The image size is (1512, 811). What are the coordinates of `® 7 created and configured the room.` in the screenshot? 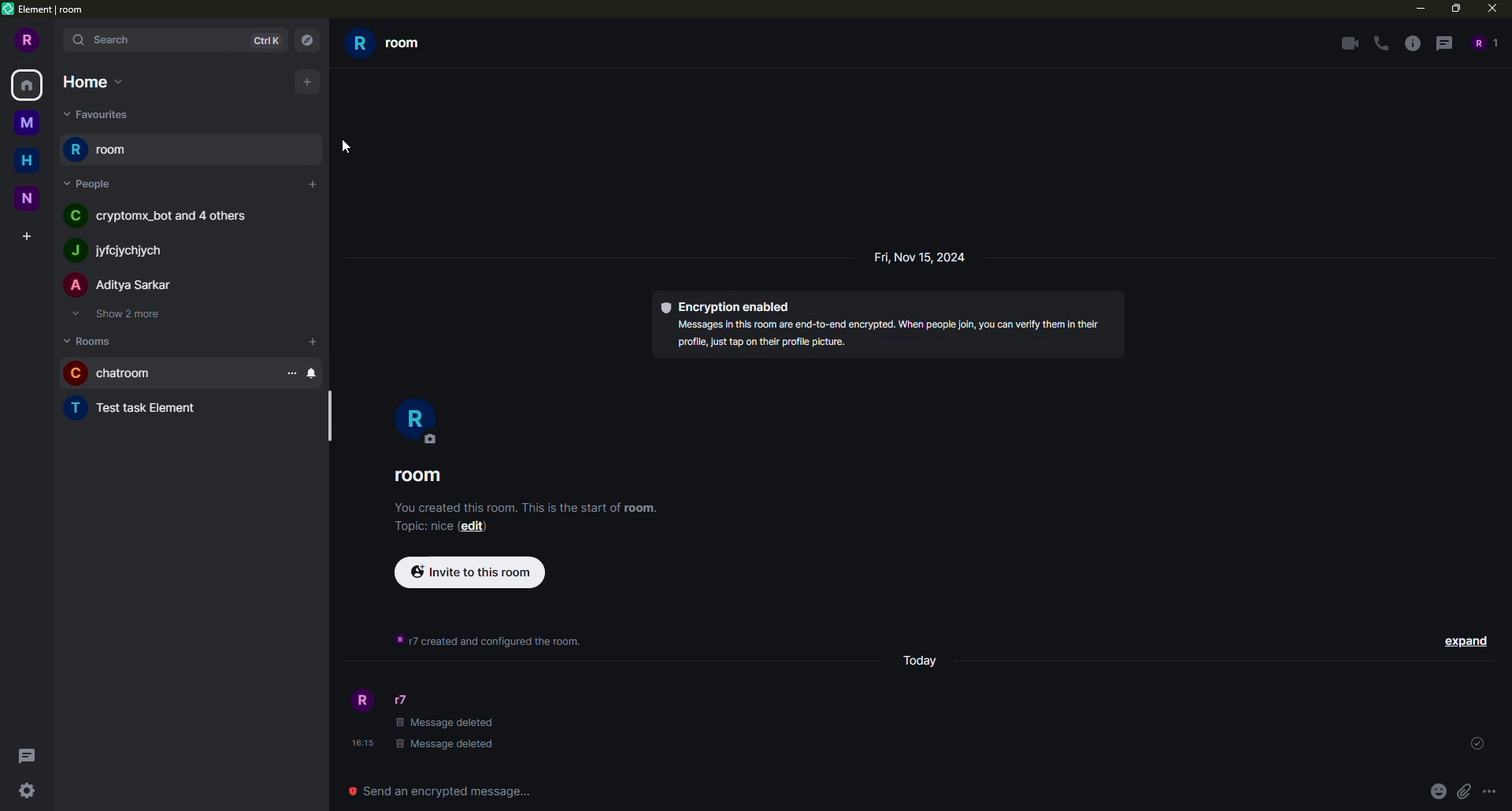 It's located at (489, 643).